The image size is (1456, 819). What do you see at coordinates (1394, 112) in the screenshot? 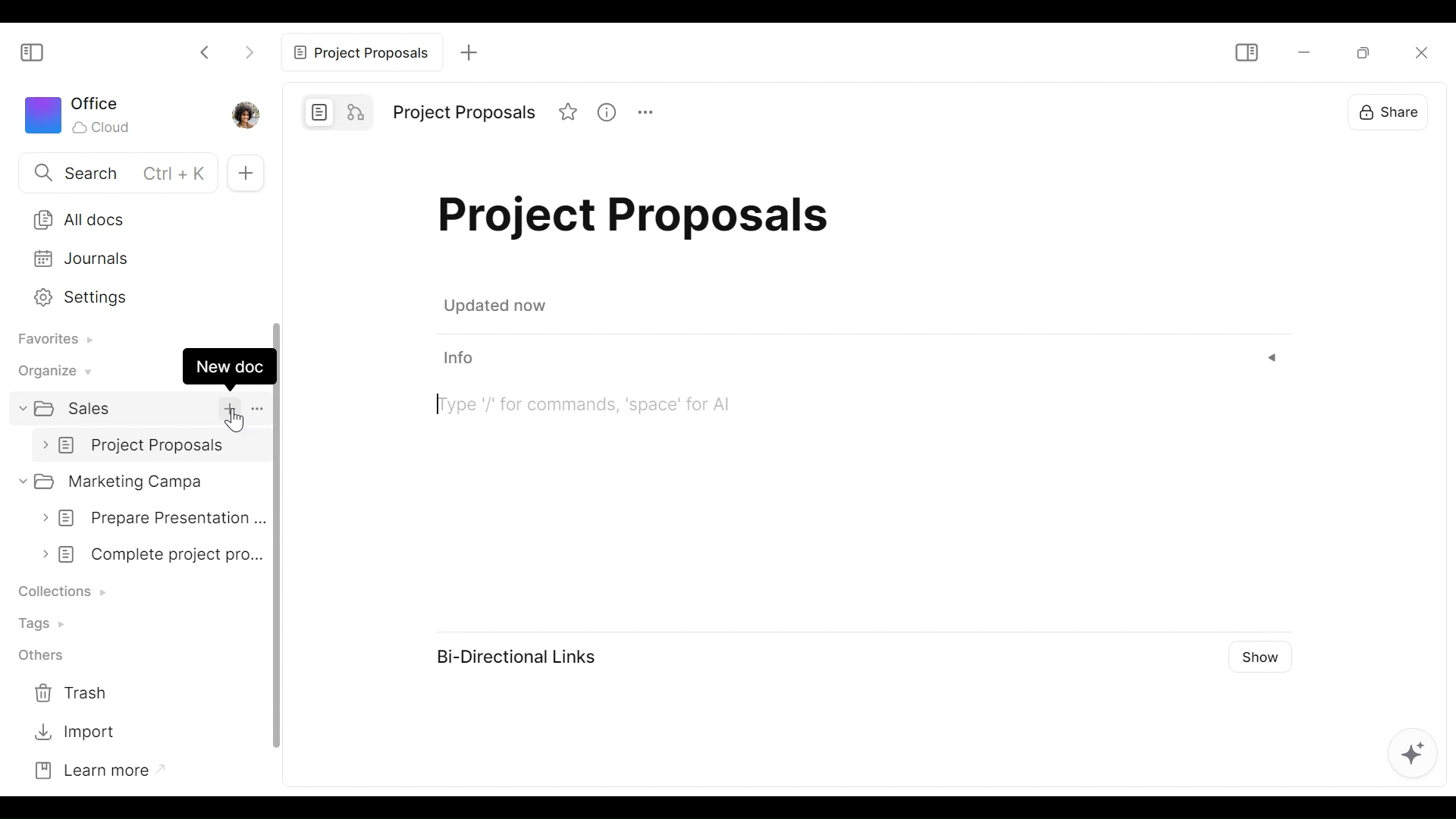
I see `Share` at bounding box center [1394, 112].